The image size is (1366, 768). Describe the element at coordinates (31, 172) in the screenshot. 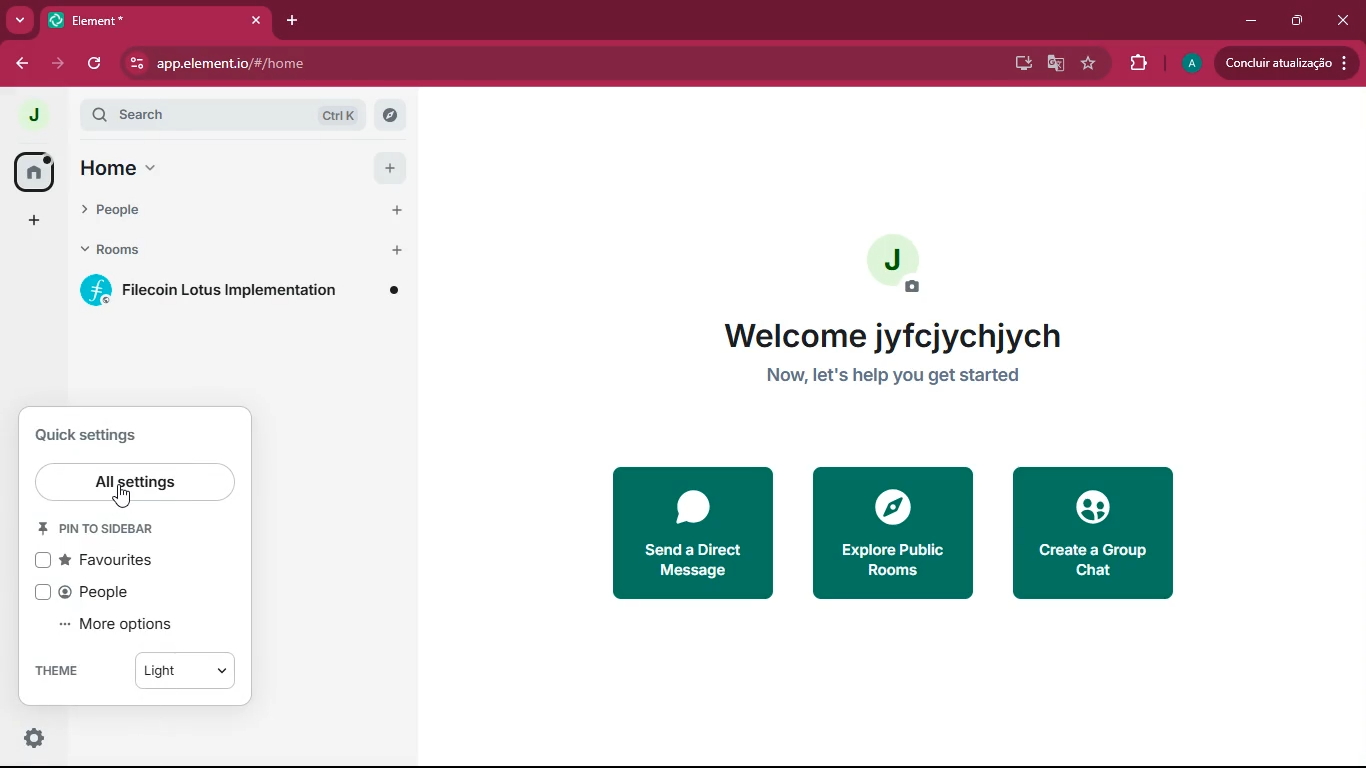

I see `home` at that location.